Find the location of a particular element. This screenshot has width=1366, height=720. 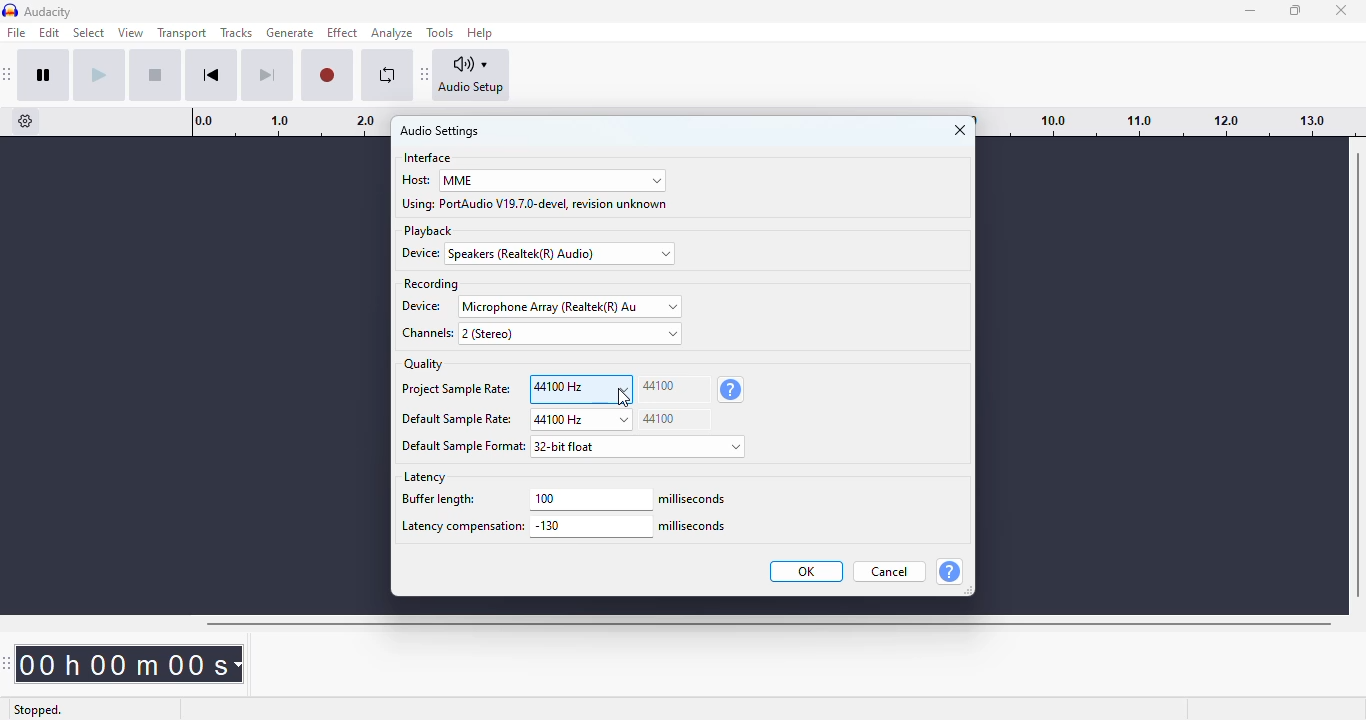

audio settings is located at coordinates (440, 131).